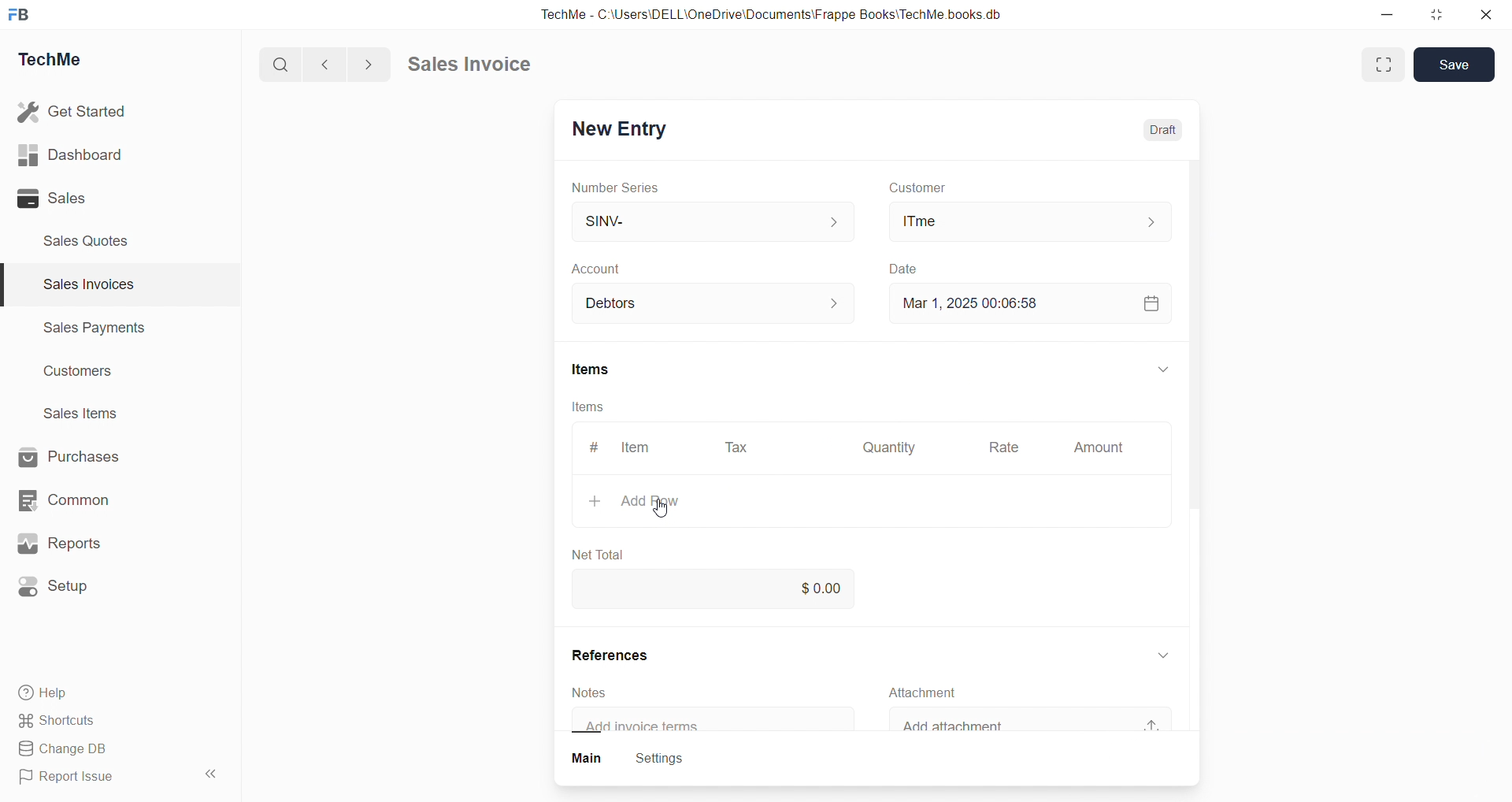 The height and width of the screenshot is (802, 1512). What do you see at coordinates (212, 771) in the screenshot?
I see `«` at bounding box center [212, 771].